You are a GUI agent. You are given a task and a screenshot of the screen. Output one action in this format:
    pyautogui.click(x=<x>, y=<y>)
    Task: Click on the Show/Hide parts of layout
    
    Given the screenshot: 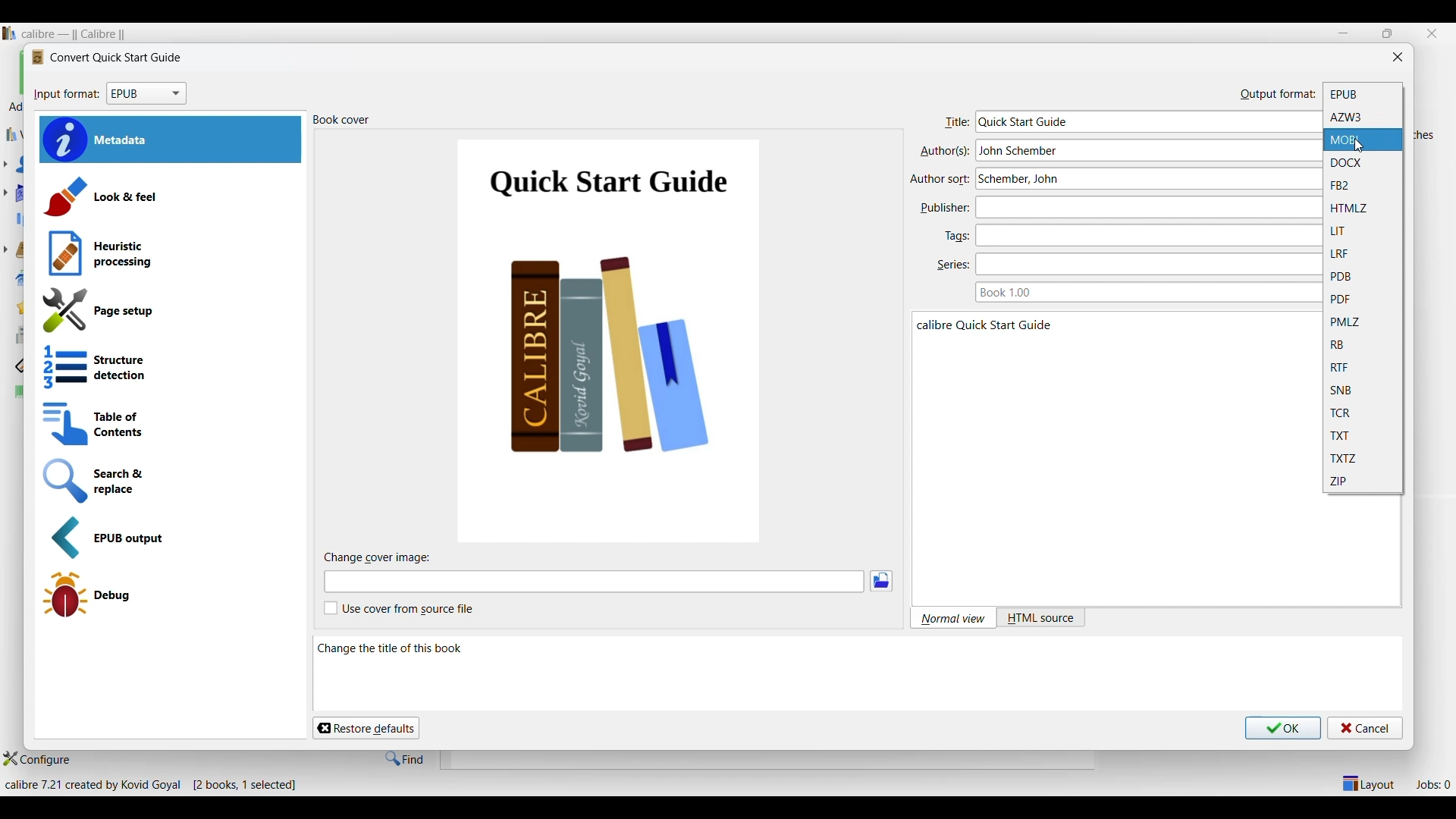 What is the action you would take?
    pyautogui.click(x=1367, y=783)
    